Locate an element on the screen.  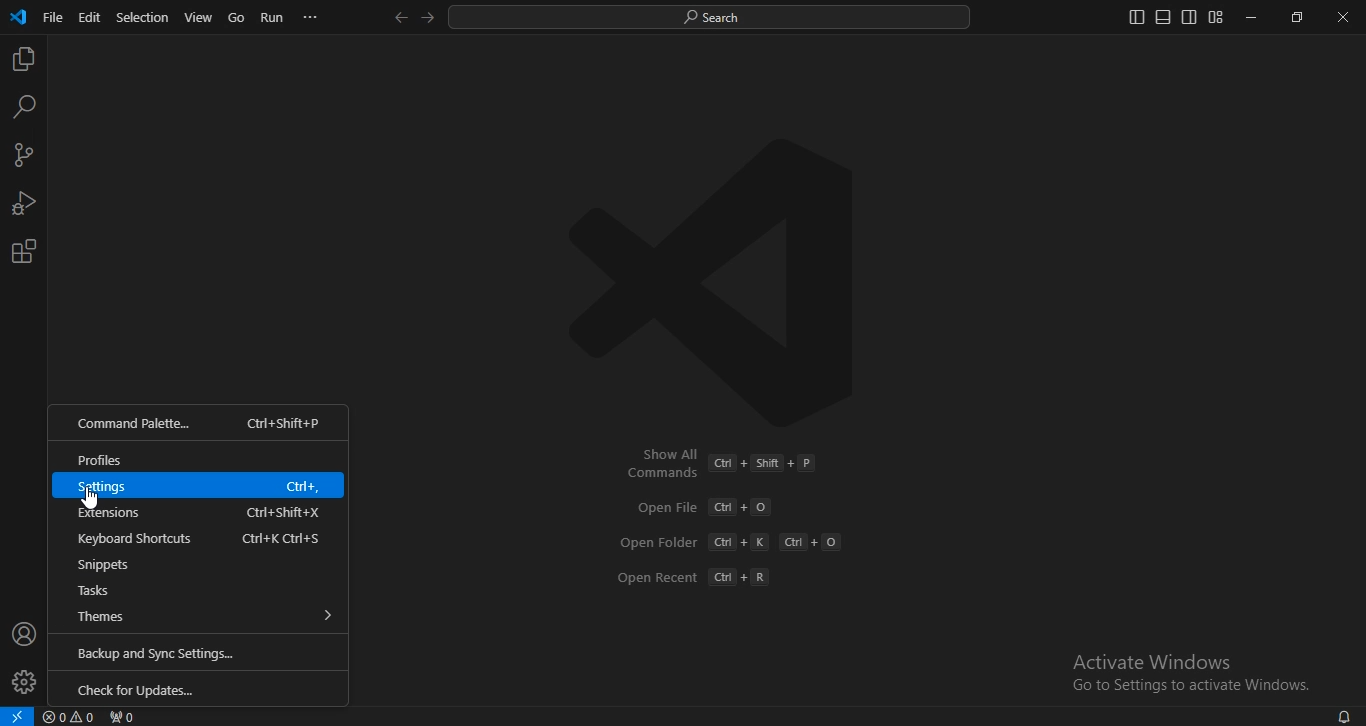
themes is located at coordinates (204, 620).